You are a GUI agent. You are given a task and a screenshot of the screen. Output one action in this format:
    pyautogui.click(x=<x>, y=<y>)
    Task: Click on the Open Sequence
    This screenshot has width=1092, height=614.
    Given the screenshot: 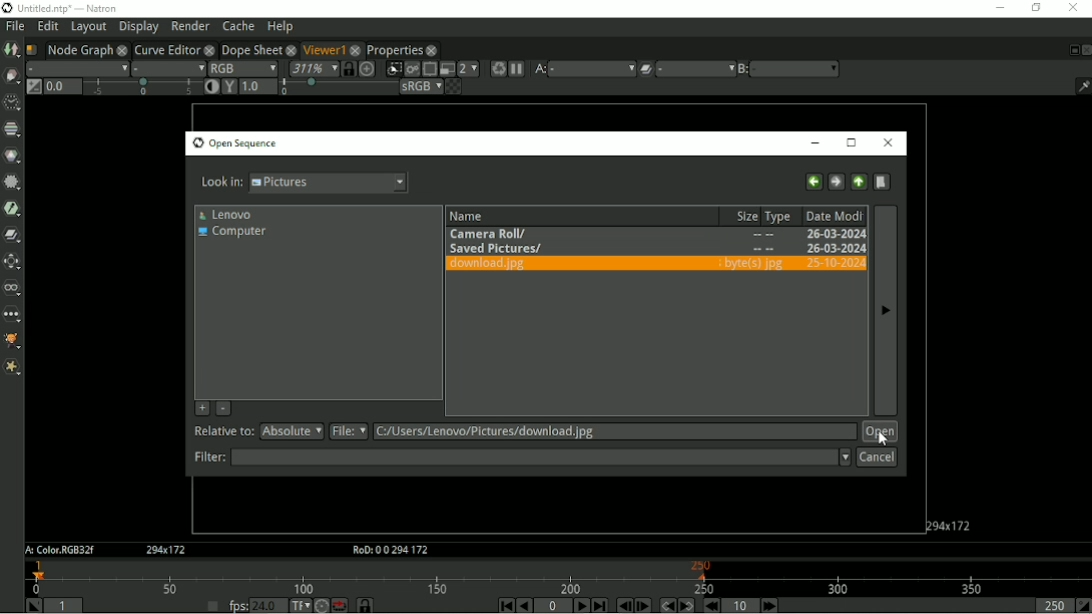 What is the action you would take?
    pyautogui.click(x=236, y=143)
    